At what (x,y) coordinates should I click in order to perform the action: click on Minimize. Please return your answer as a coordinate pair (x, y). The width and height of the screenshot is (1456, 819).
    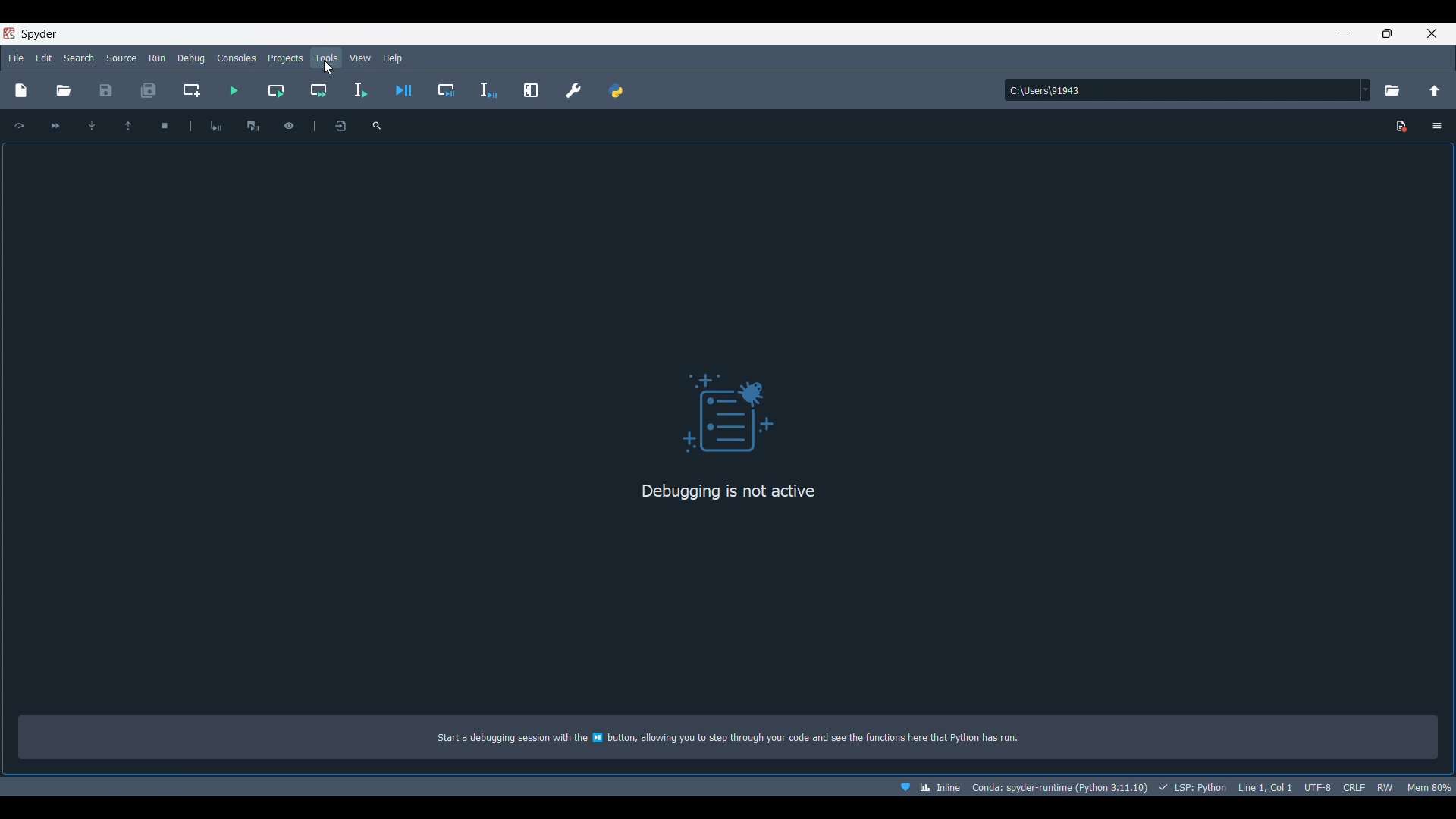
    Looking at the image, I should click on (1344, 33).